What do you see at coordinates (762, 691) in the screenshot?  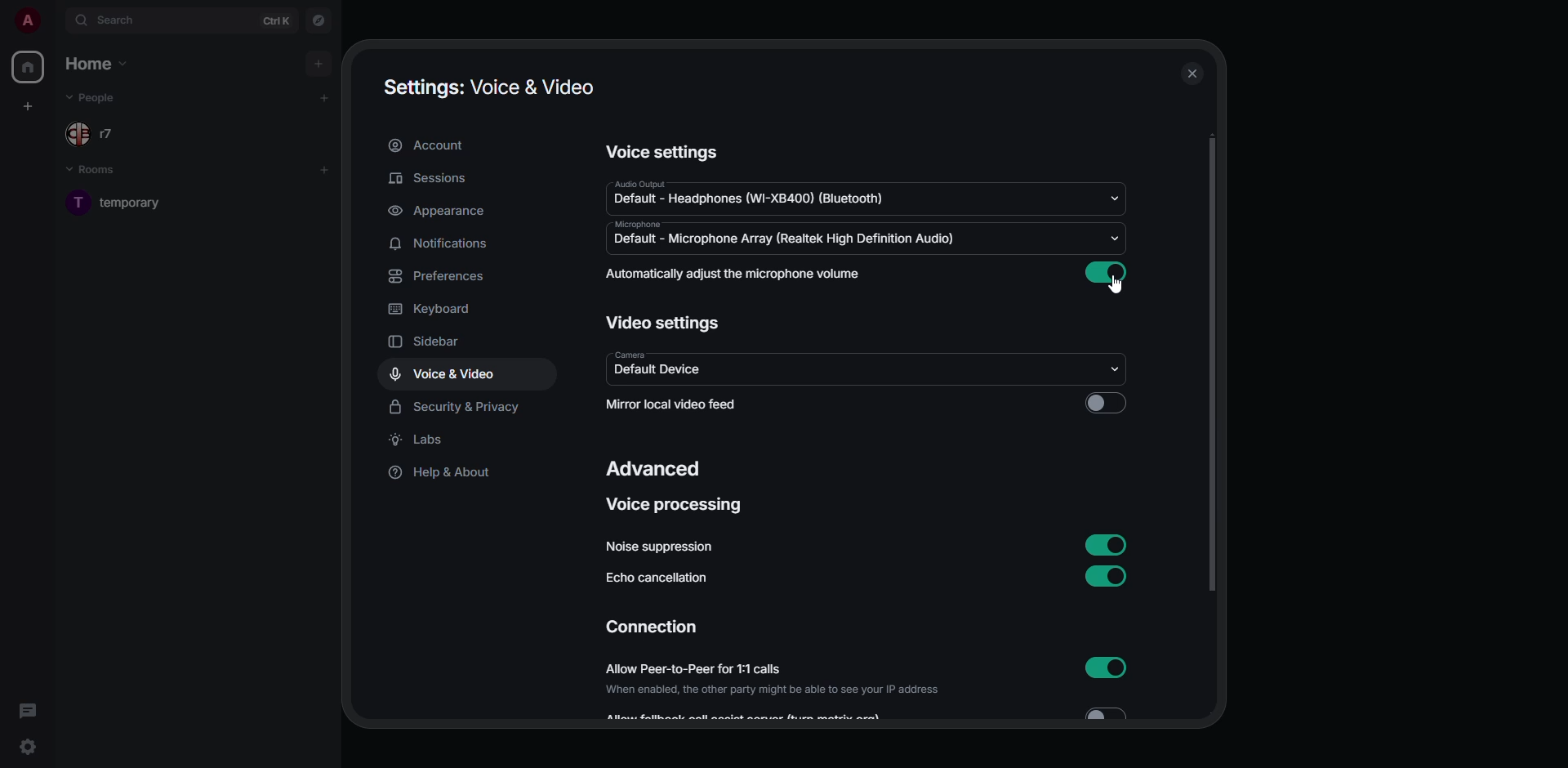 I see `When enabled, the other party might be able to see your IP address` at bounding box center [762, 691].